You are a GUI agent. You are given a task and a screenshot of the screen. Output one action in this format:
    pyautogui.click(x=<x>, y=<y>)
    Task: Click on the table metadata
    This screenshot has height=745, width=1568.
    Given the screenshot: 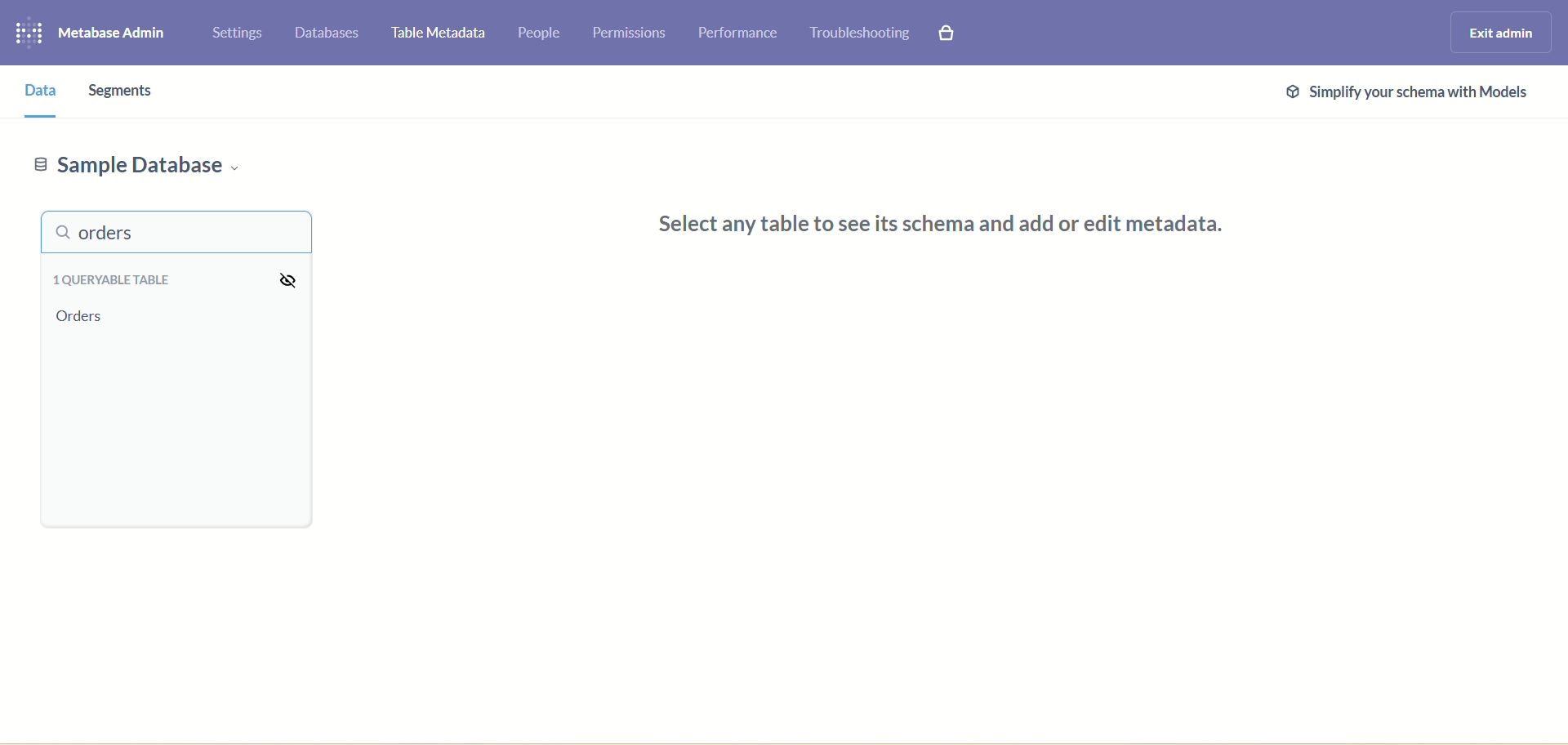 What is the action you would take?
    pyautogui.click(x=435, y=33)
    